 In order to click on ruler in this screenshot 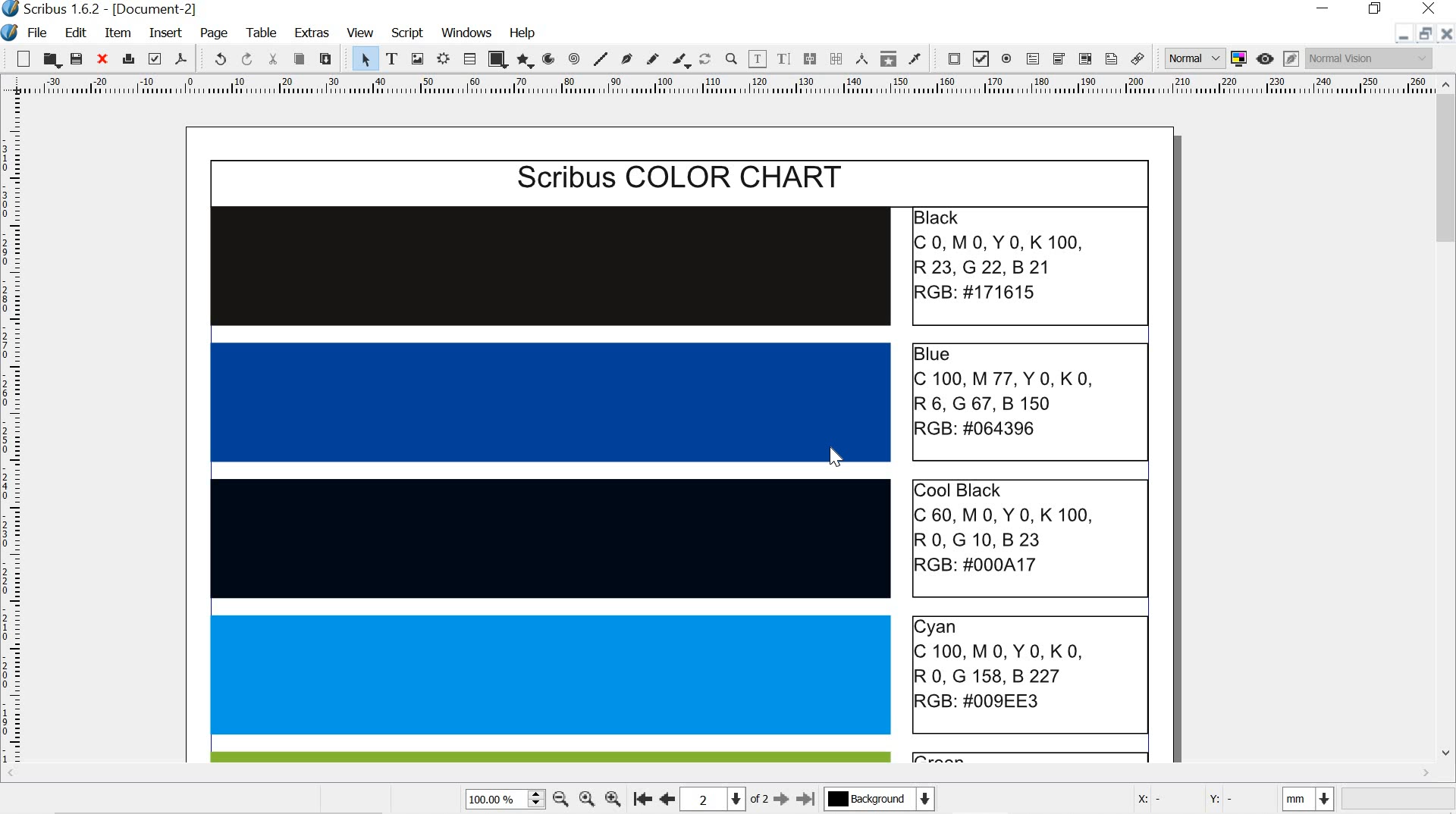, I will do `click(14, 433)`.